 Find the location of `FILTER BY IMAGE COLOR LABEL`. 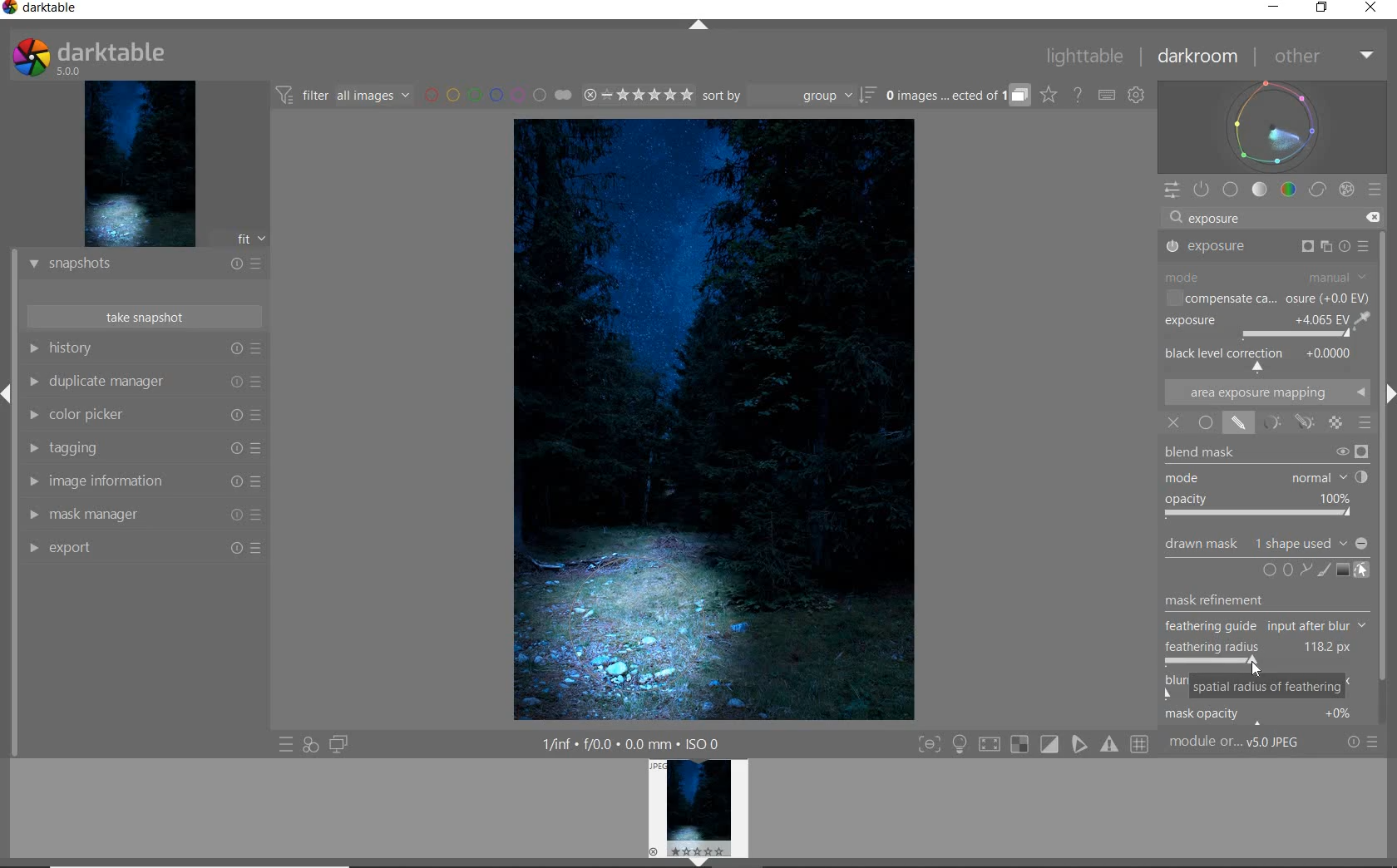

FILTER BY IMAGE COLOR LABEL is located at coordinates (498, 96).